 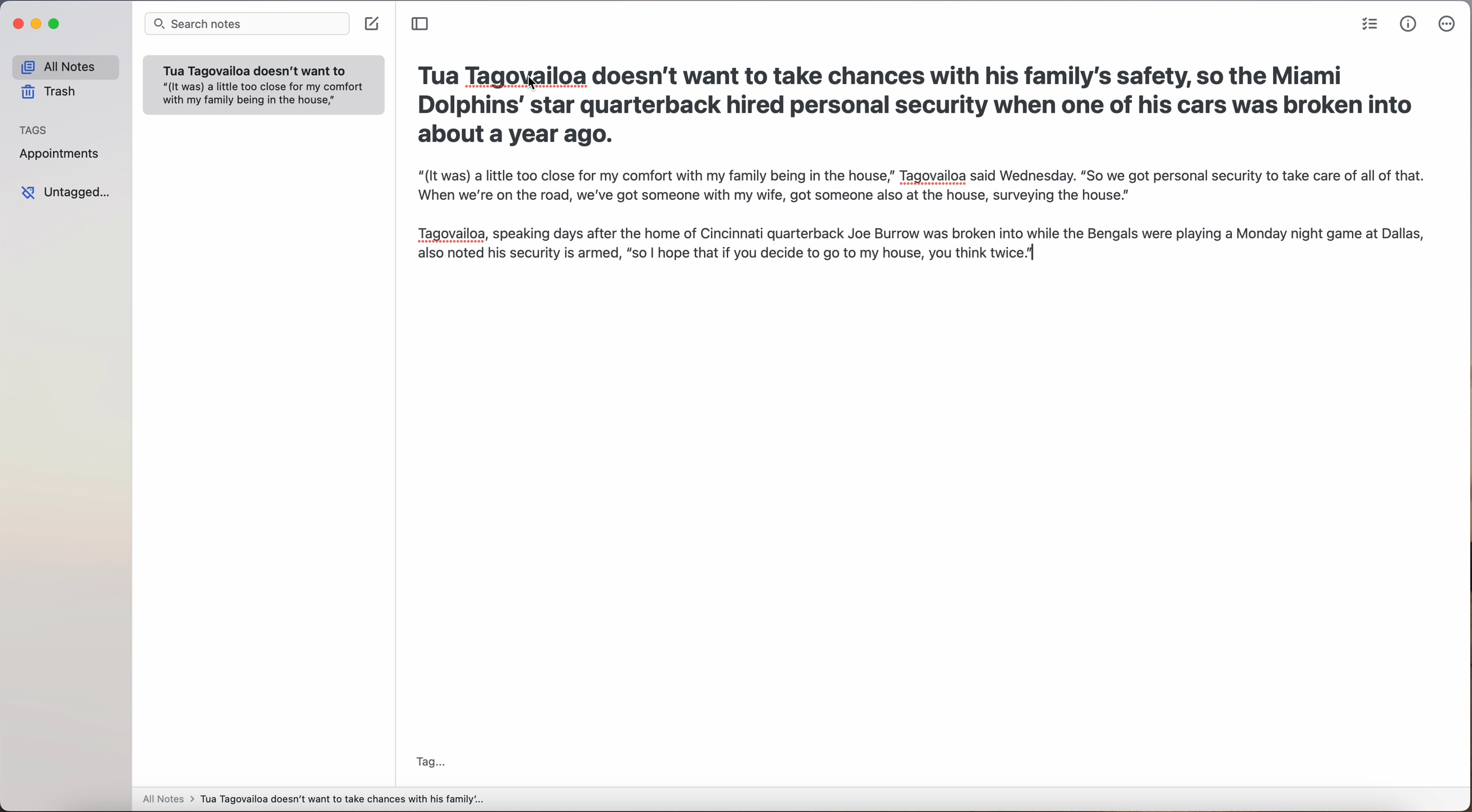 I want to click on appointments, so click(x=63, y=156).